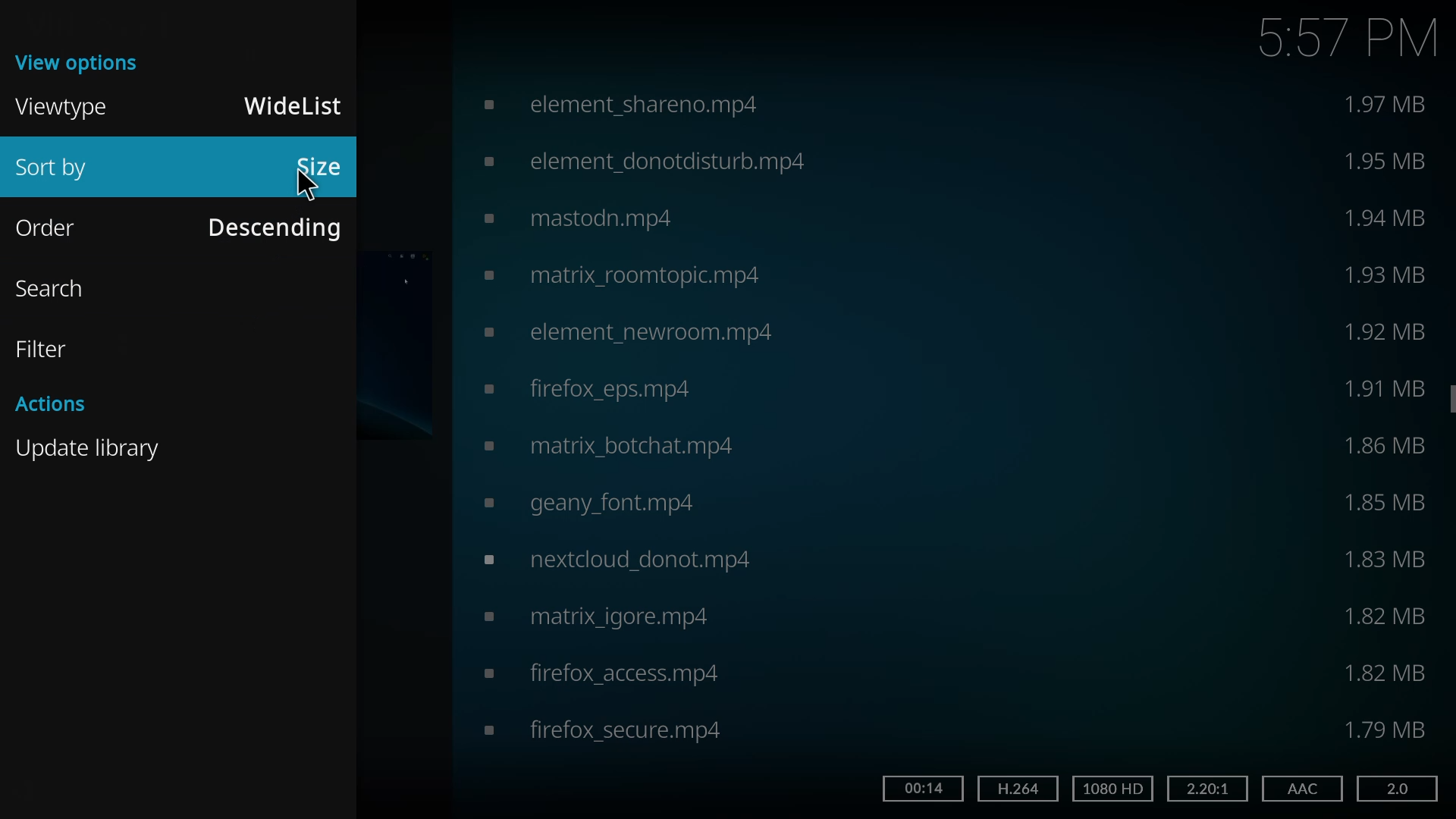  Describe the element at coordinates (619, 102) in the screenshot. I see `video` at that location.